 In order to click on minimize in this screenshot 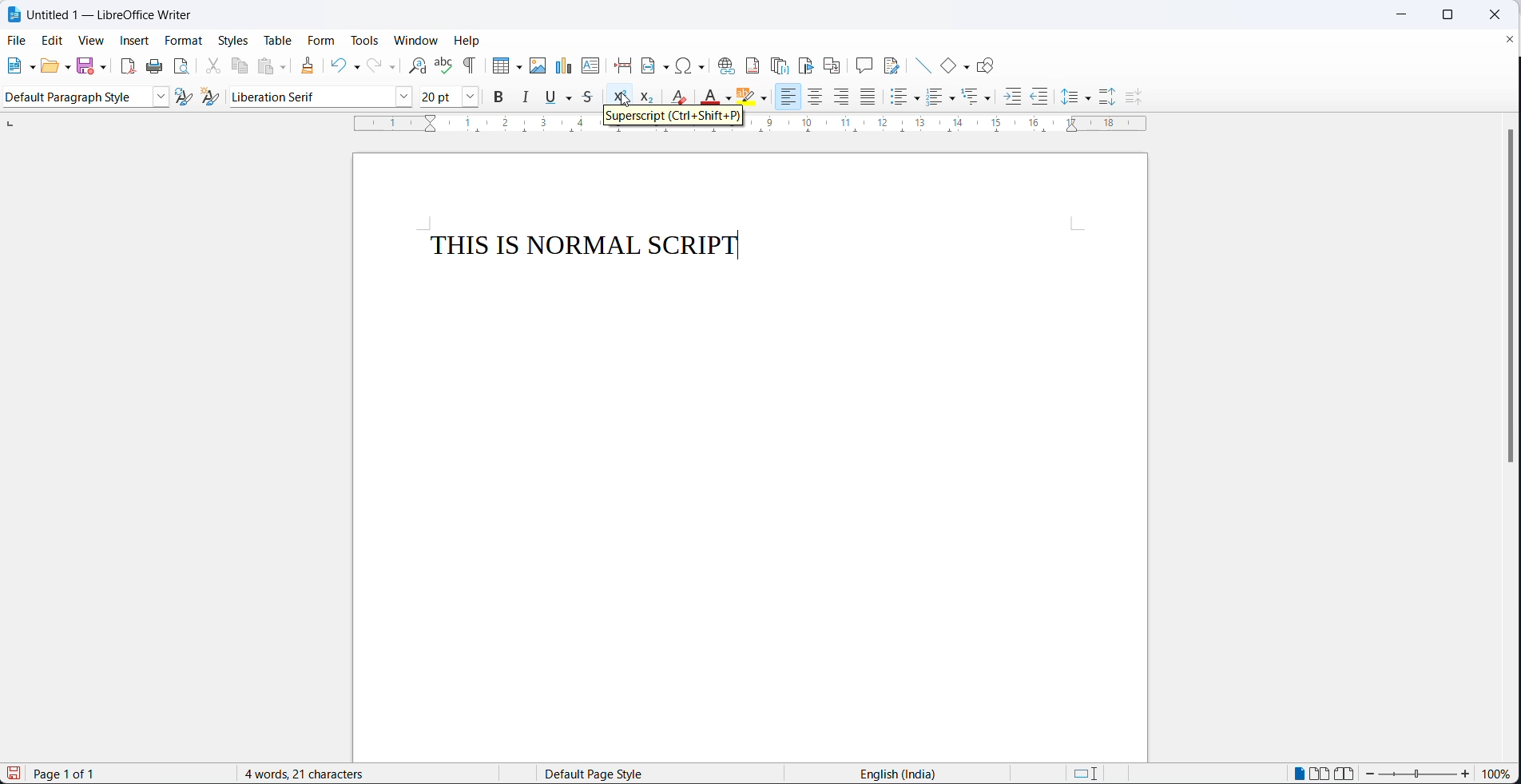, I will do `click(1403, 15)`.